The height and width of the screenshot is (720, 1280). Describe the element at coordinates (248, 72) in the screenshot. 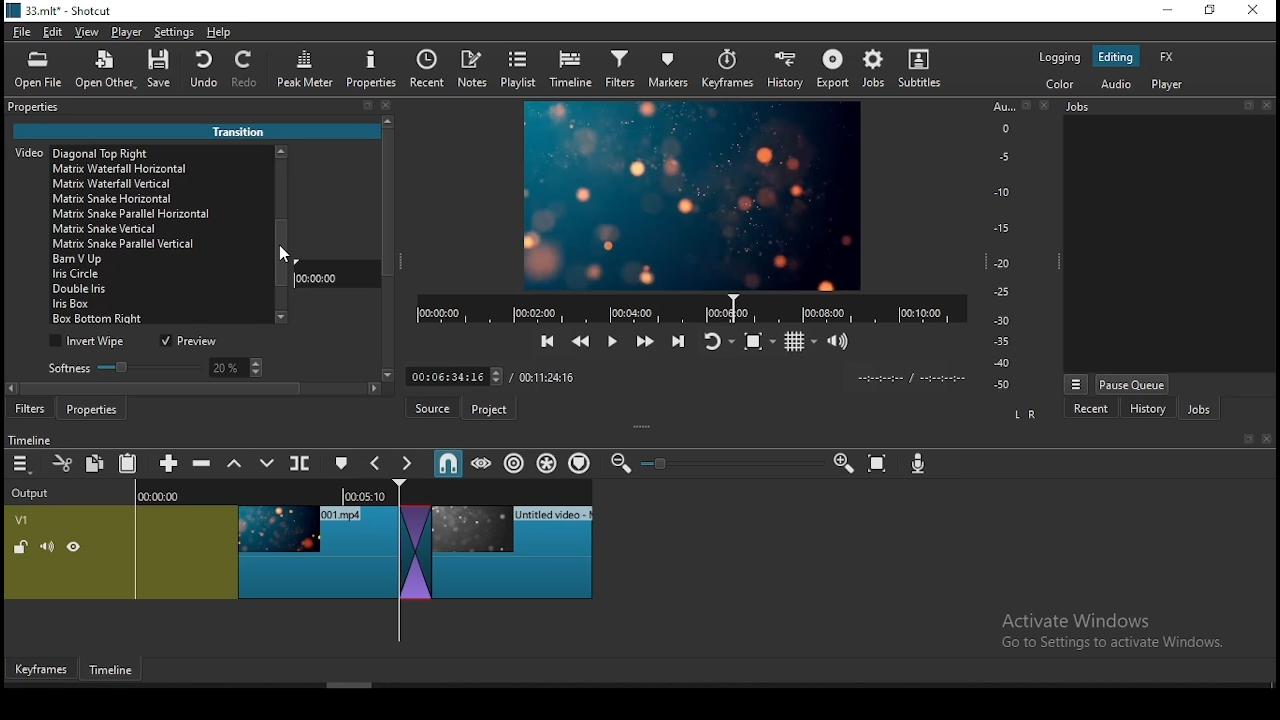

I see `redo` at that location.